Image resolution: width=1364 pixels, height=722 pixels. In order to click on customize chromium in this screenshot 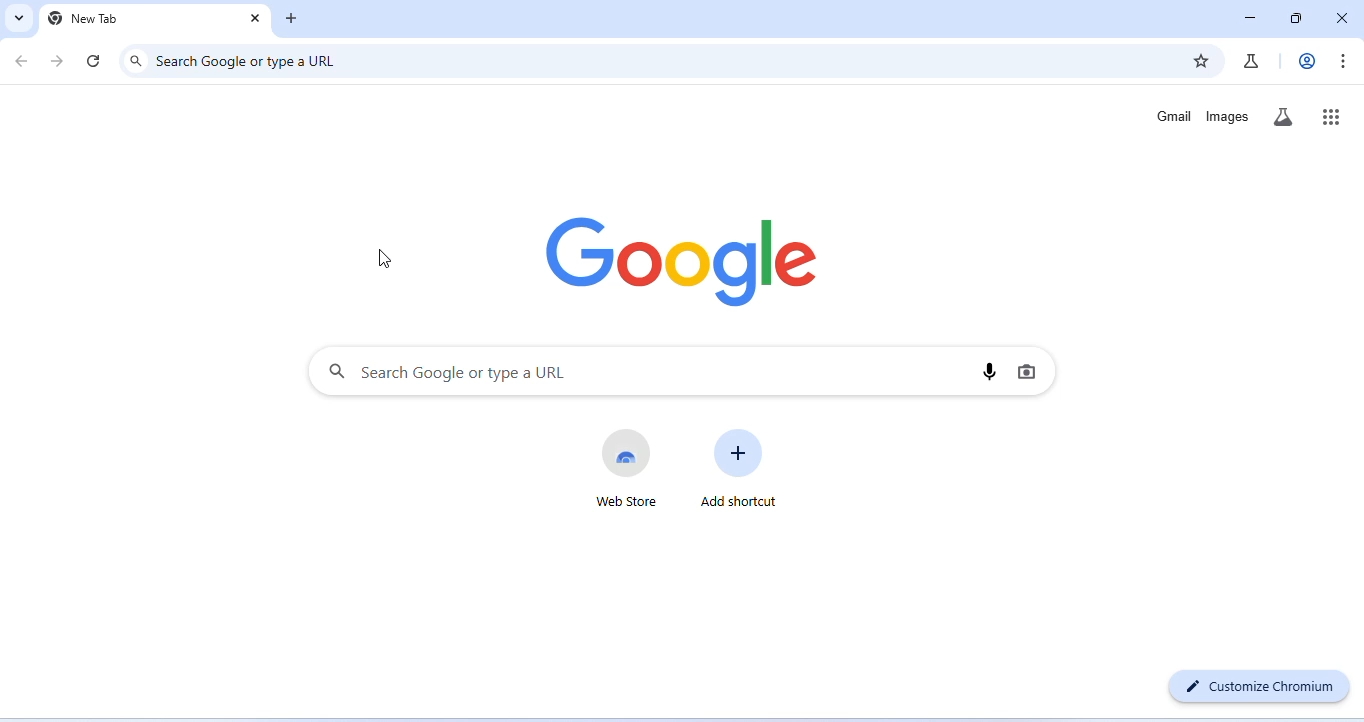, I will do `click(1261, 686)`.